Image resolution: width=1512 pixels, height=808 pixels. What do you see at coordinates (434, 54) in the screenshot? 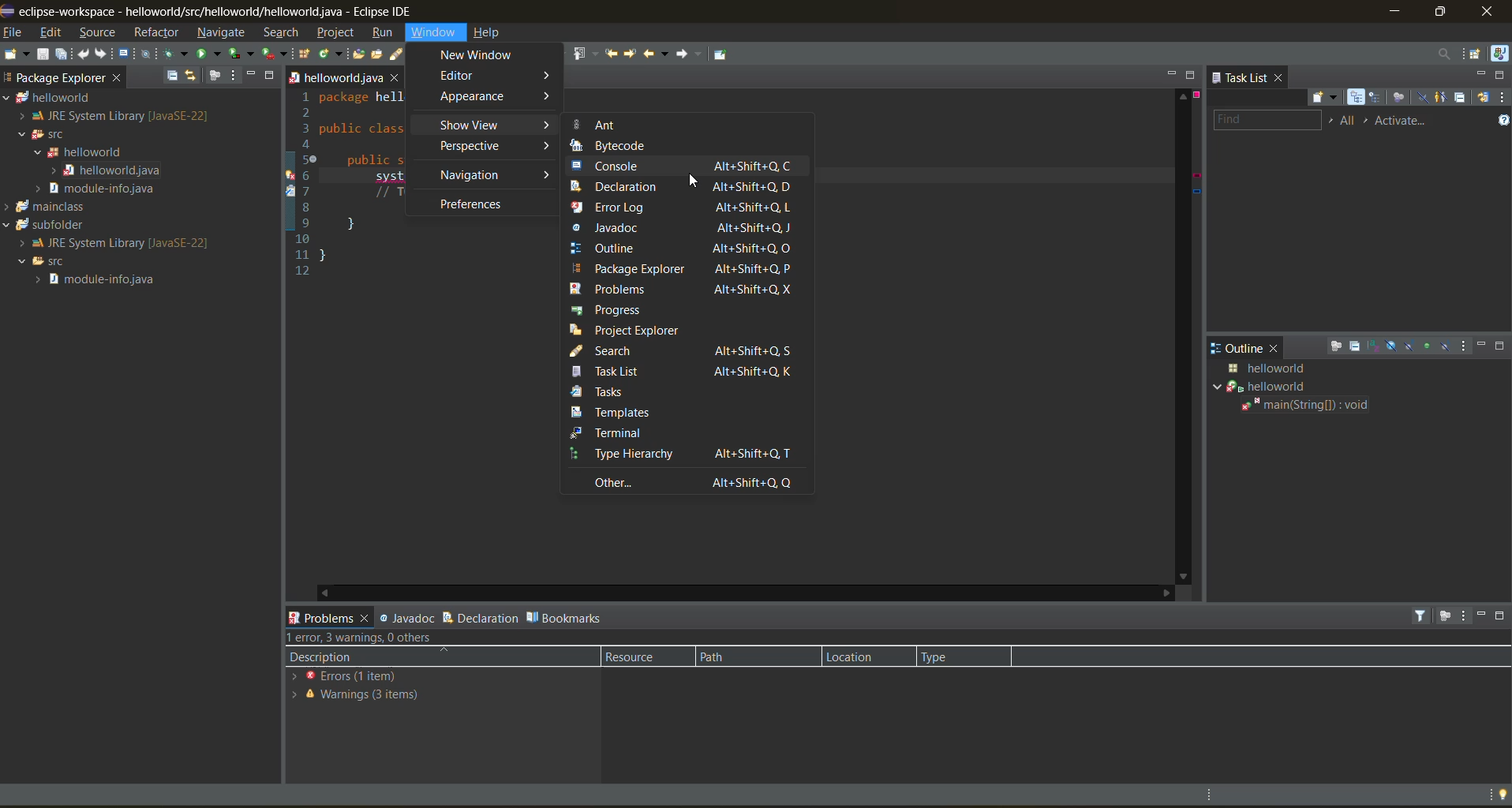
I see `toggle breadcrumb` at bounding box center [434, 54].